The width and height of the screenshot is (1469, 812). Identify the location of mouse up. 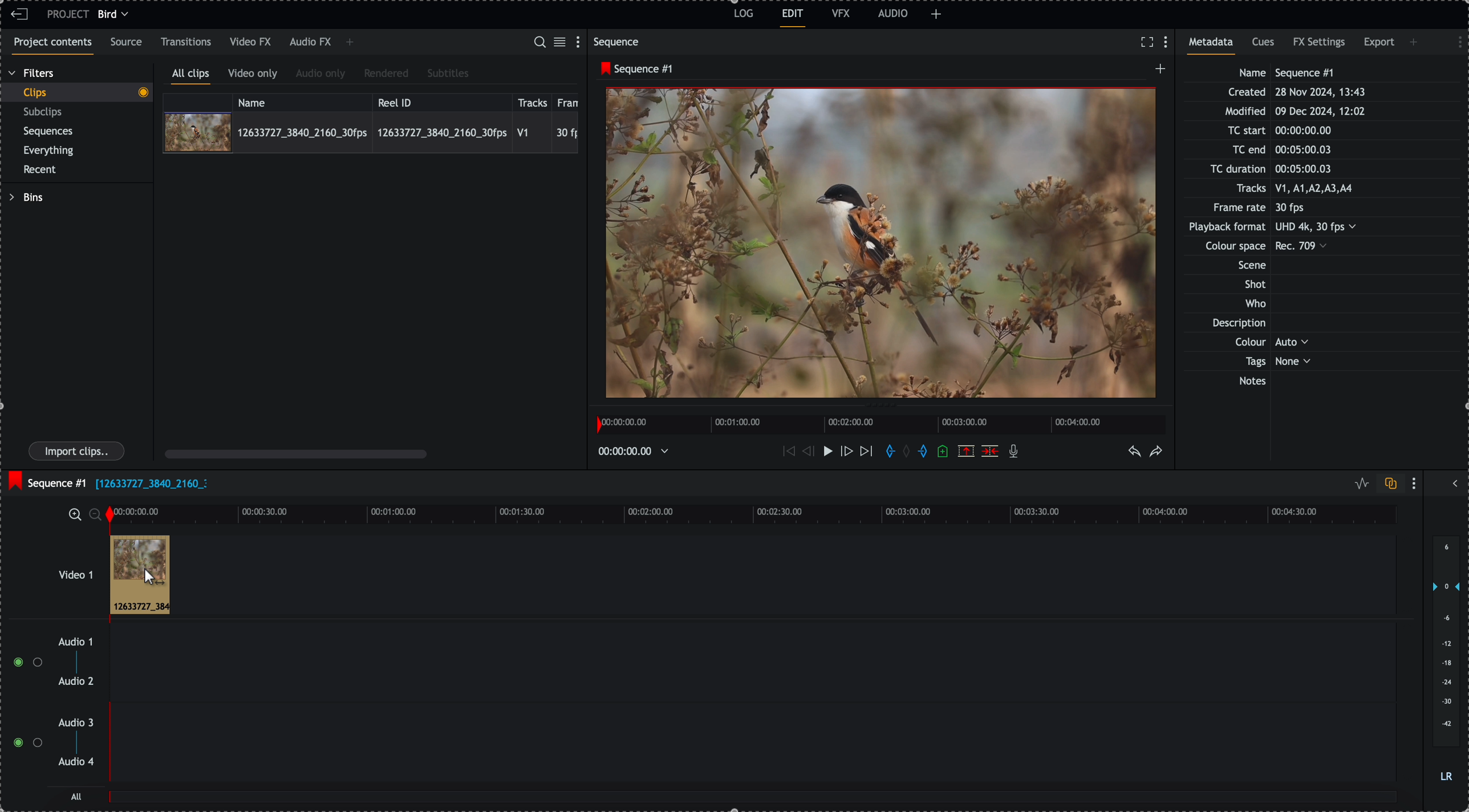
(129, 575).